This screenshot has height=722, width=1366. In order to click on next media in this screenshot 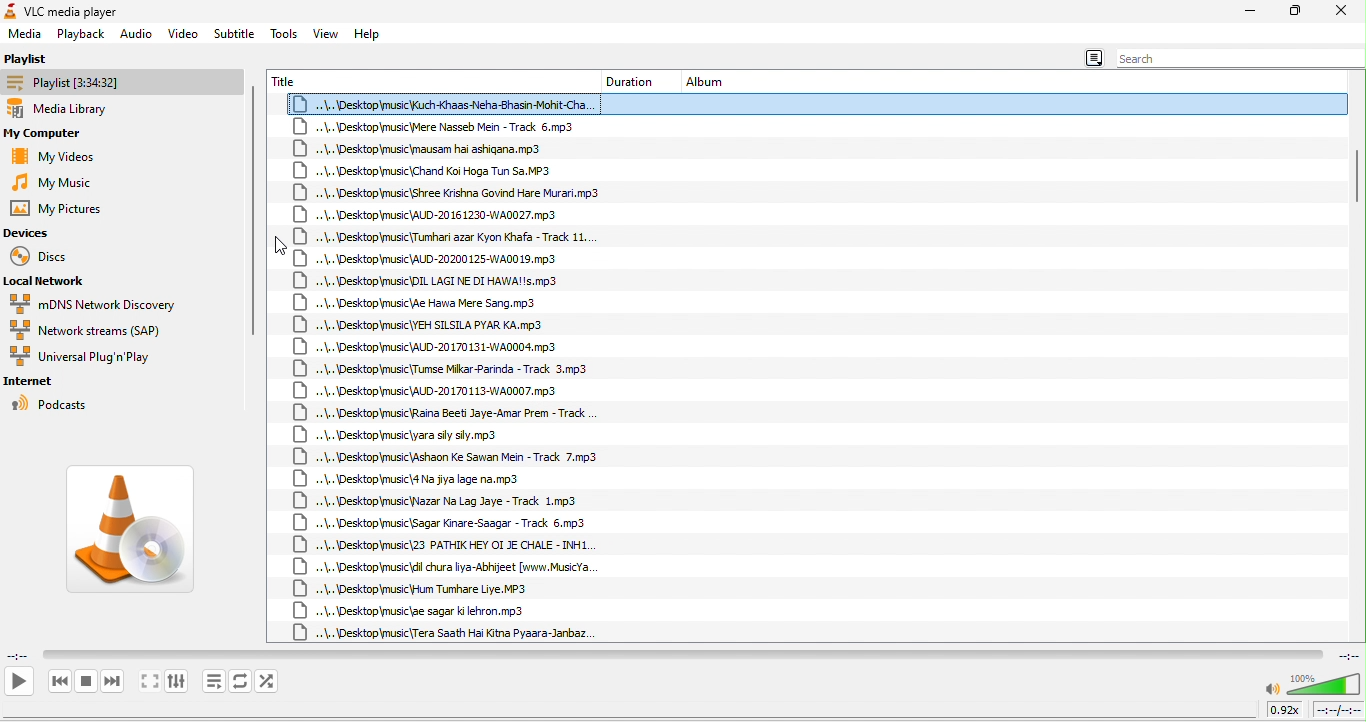, I will do `click(113, 683)`.